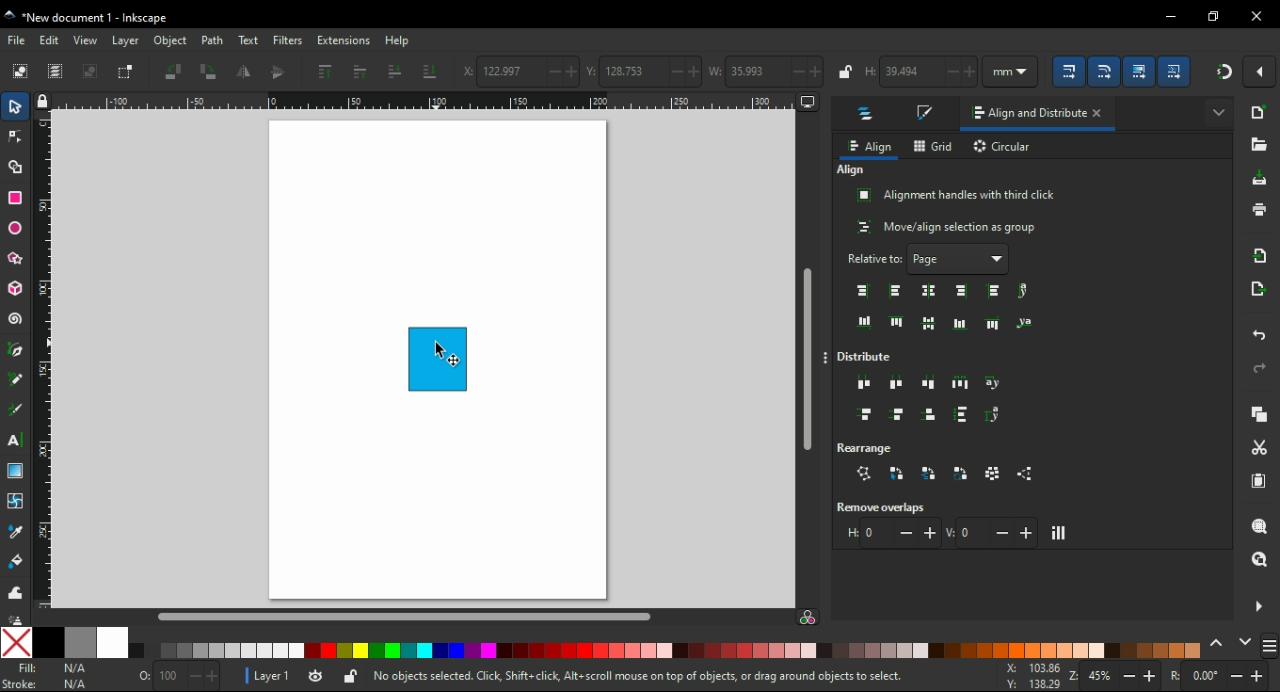  What do you see at coordinates (927, 473) in the screenshot?
I see `exchange positions of selected objects stacking order` at bounding box center [927, 473].